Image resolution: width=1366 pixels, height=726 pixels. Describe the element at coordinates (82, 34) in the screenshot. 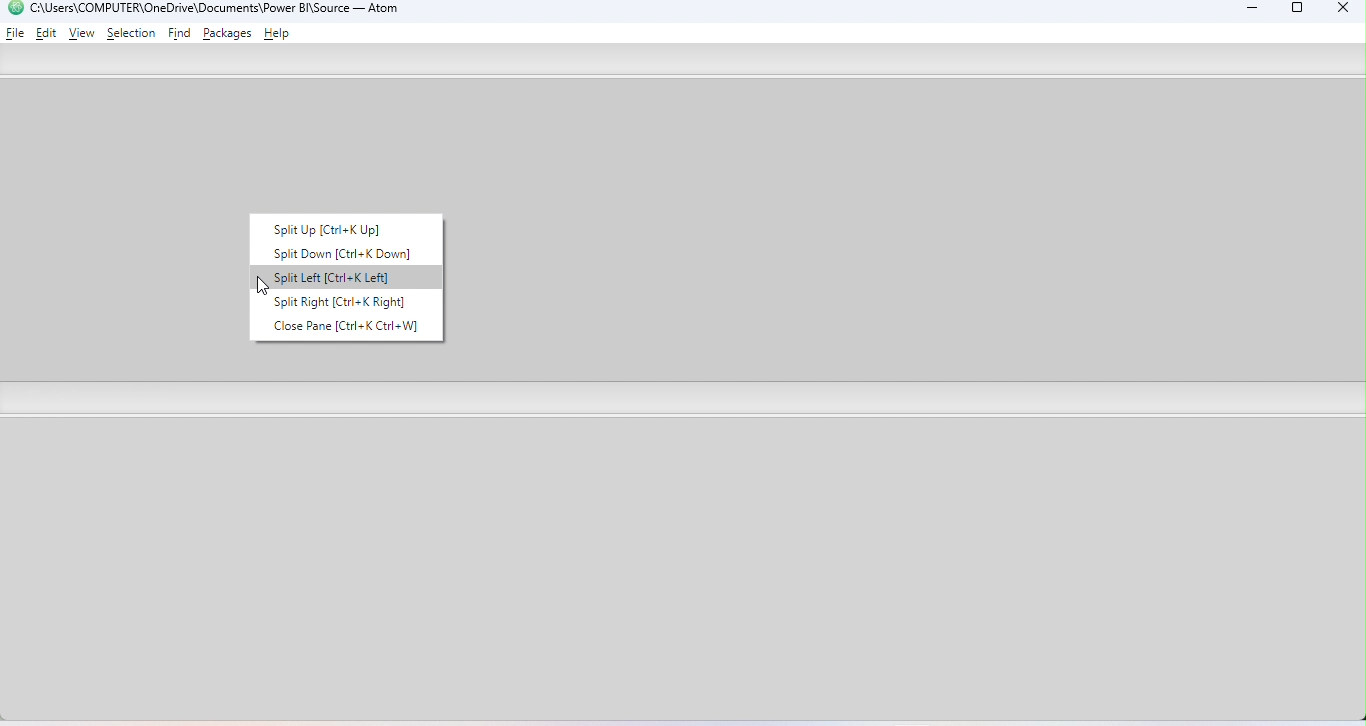

I see `View` at that location.